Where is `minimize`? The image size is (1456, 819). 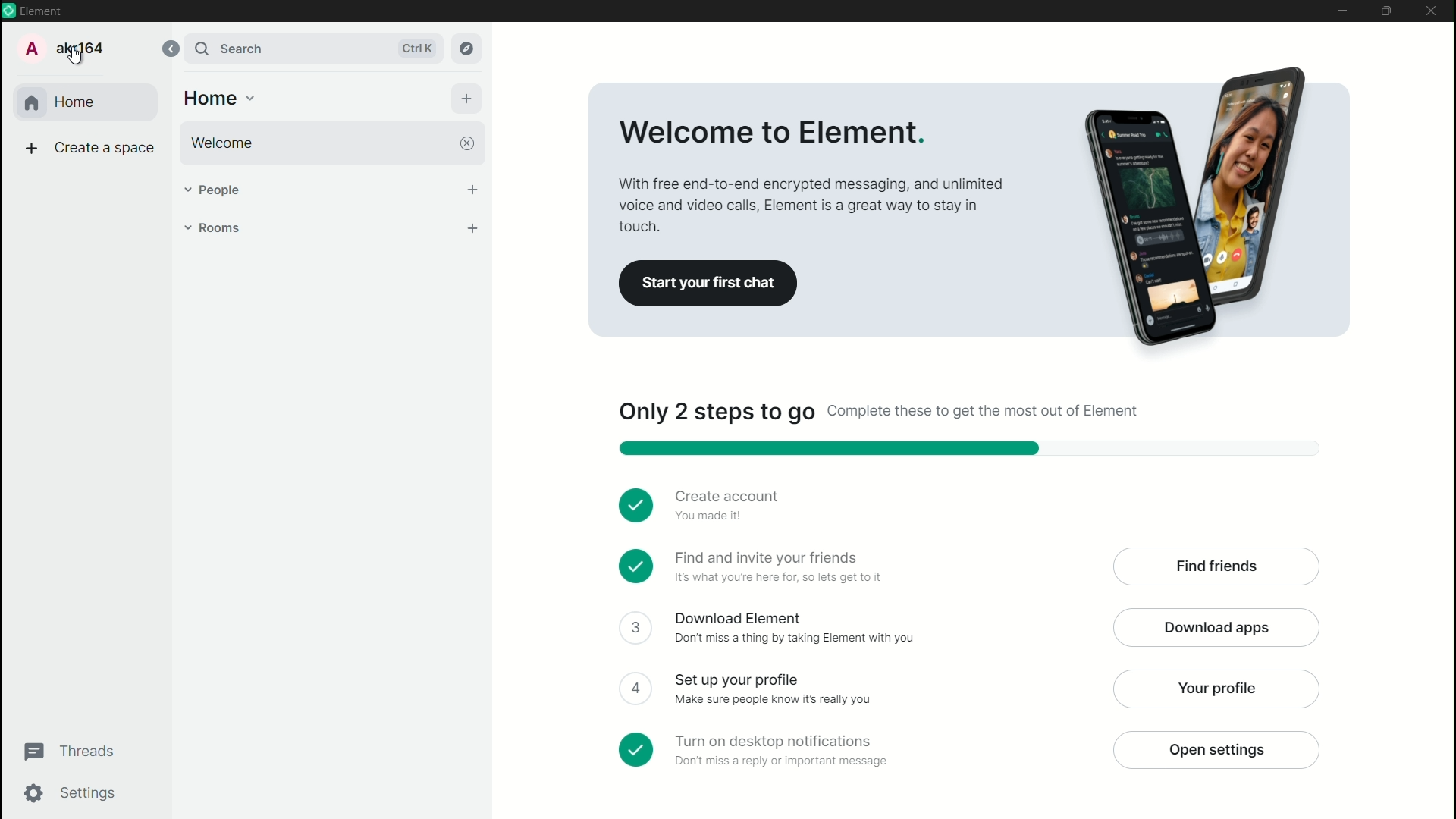 minimize is located at coordinates (1340, 11).